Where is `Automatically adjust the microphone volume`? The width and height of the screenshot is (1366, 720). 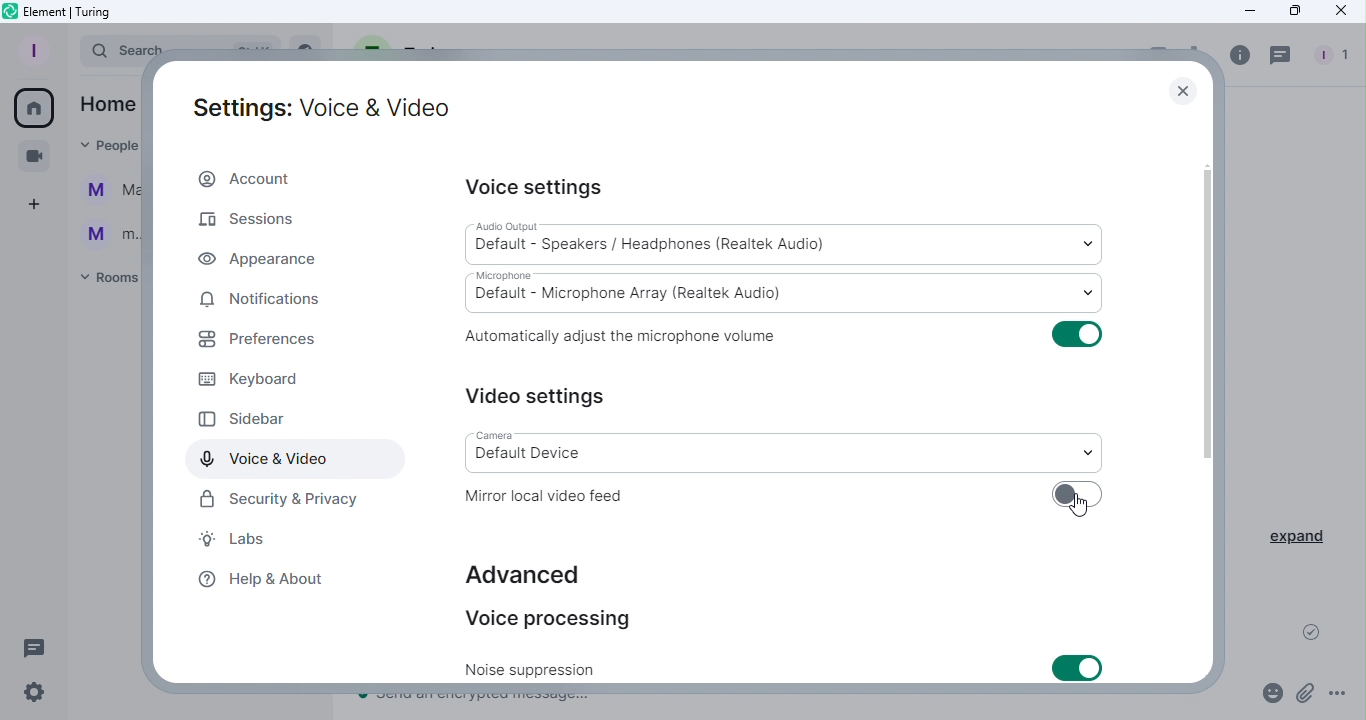 Automatically adjust the microphone volume is located at coordinates (637, 337).